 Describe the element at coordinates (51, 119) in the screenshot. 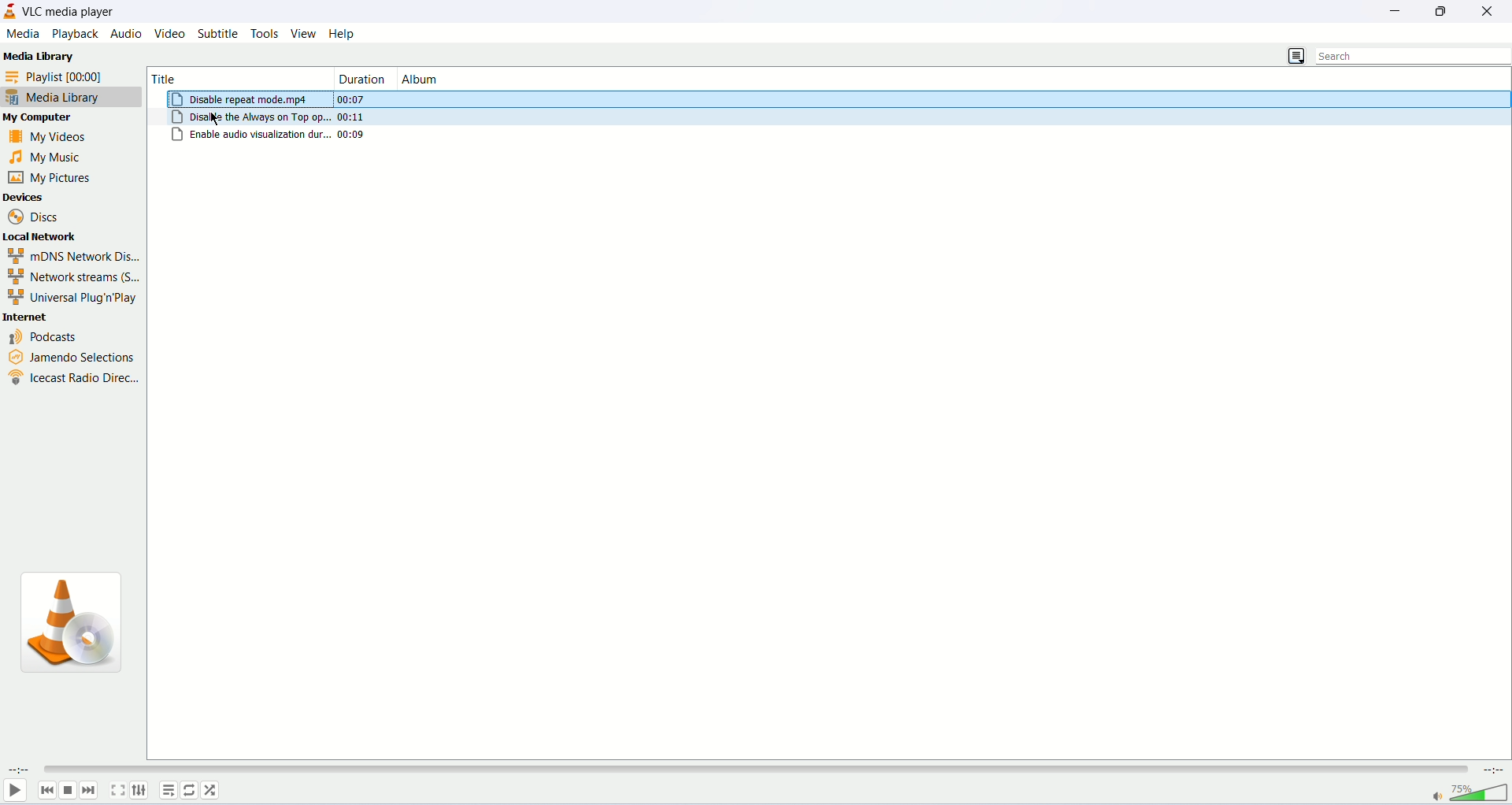

I see `my computer` at that location.